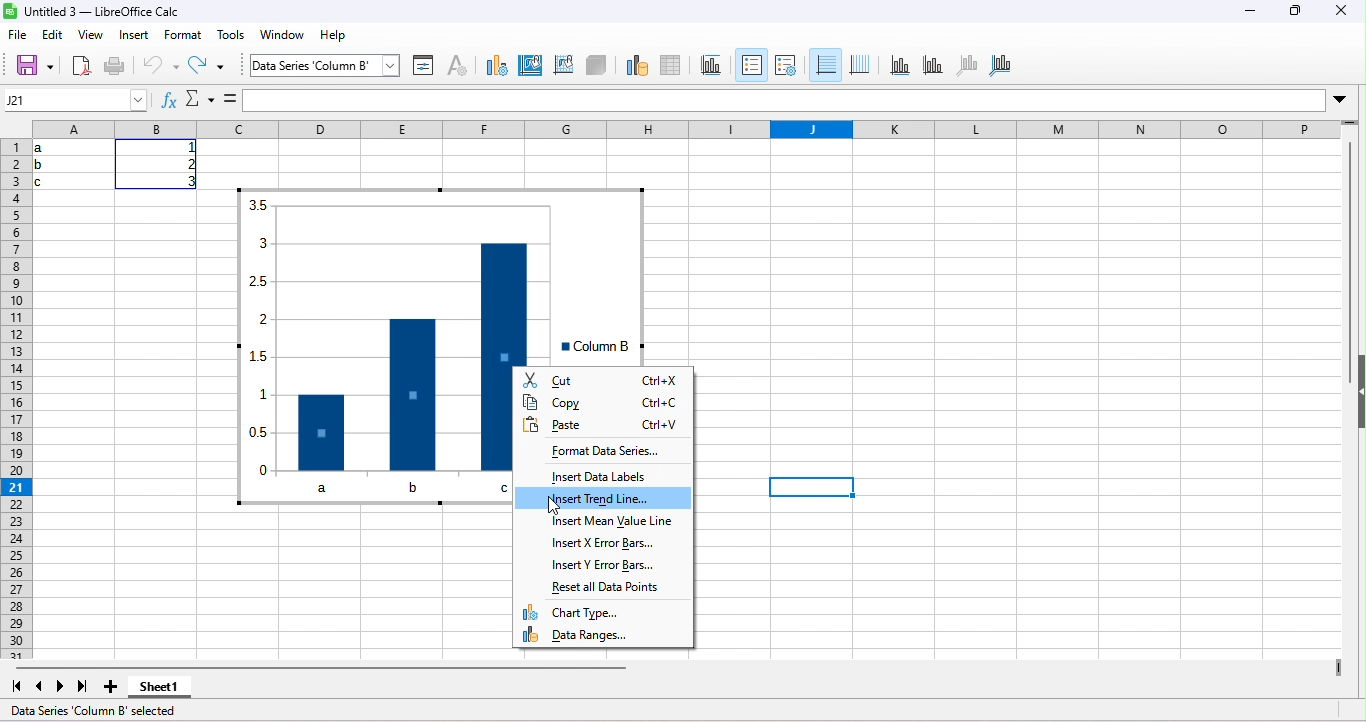  What do you see at coordinates (259, 338) in the screenshot?
I see `y axis values` at bounding box center [259, 338].